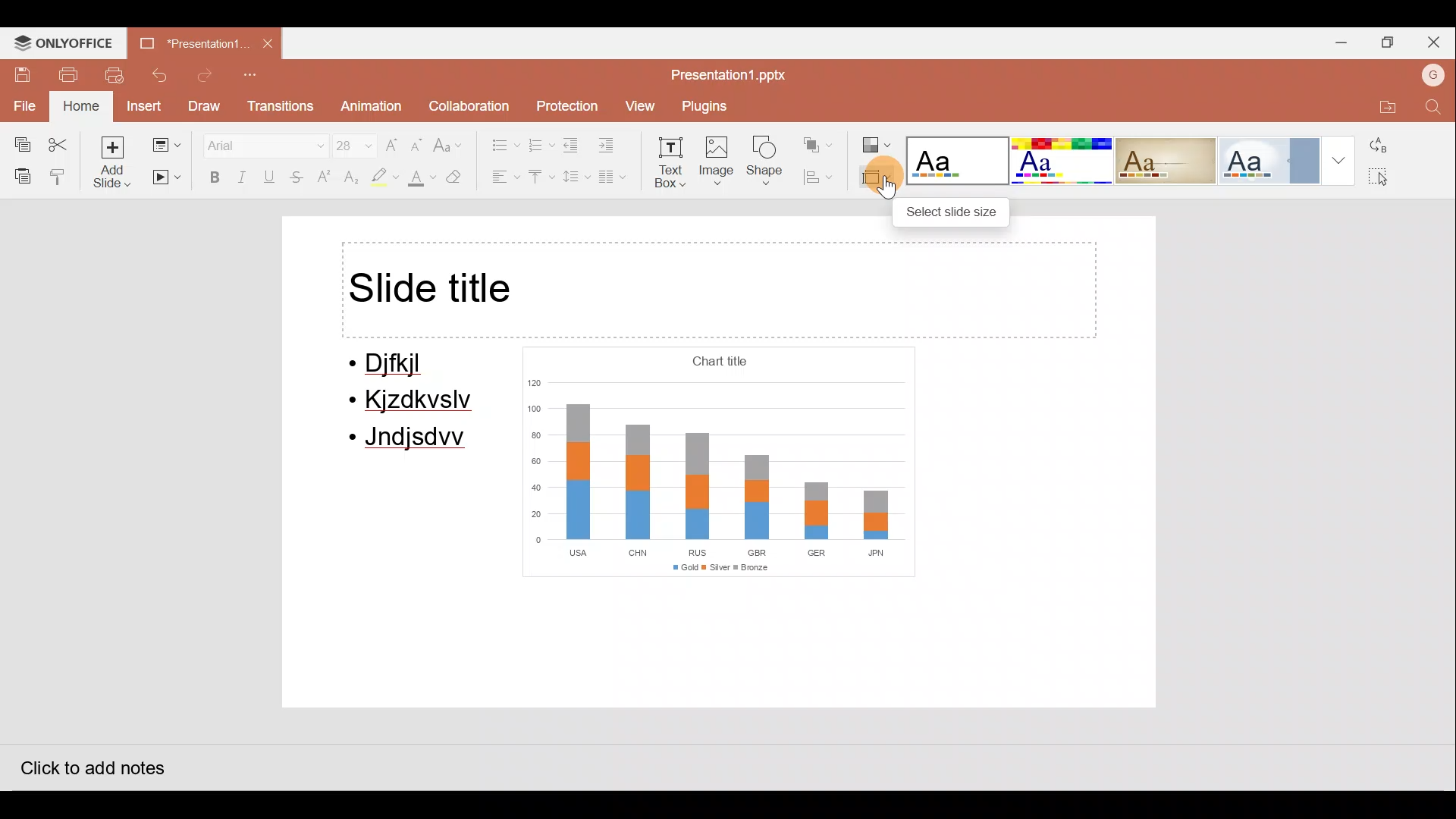  What do you see at coordinates (468, 102) in the screenshot?
I see `Collaboration` at bounding box center [468, 102].